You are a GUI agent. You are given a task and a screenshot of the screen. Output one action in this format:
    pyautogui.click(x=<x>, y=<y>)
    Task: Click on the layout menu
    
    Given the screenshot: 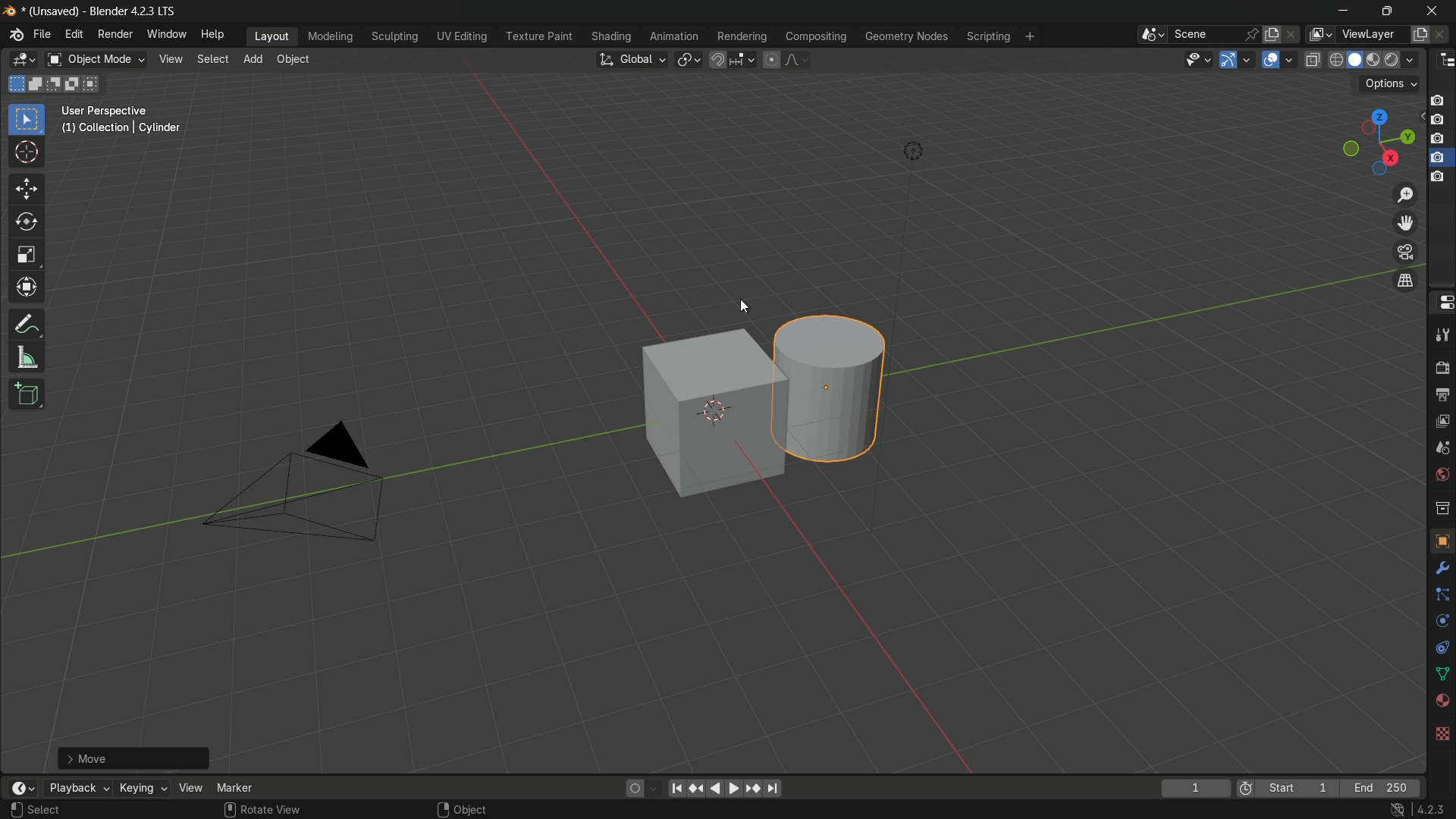 What is the action you would take?
    pyautogui.click(x=273, y=37)
    